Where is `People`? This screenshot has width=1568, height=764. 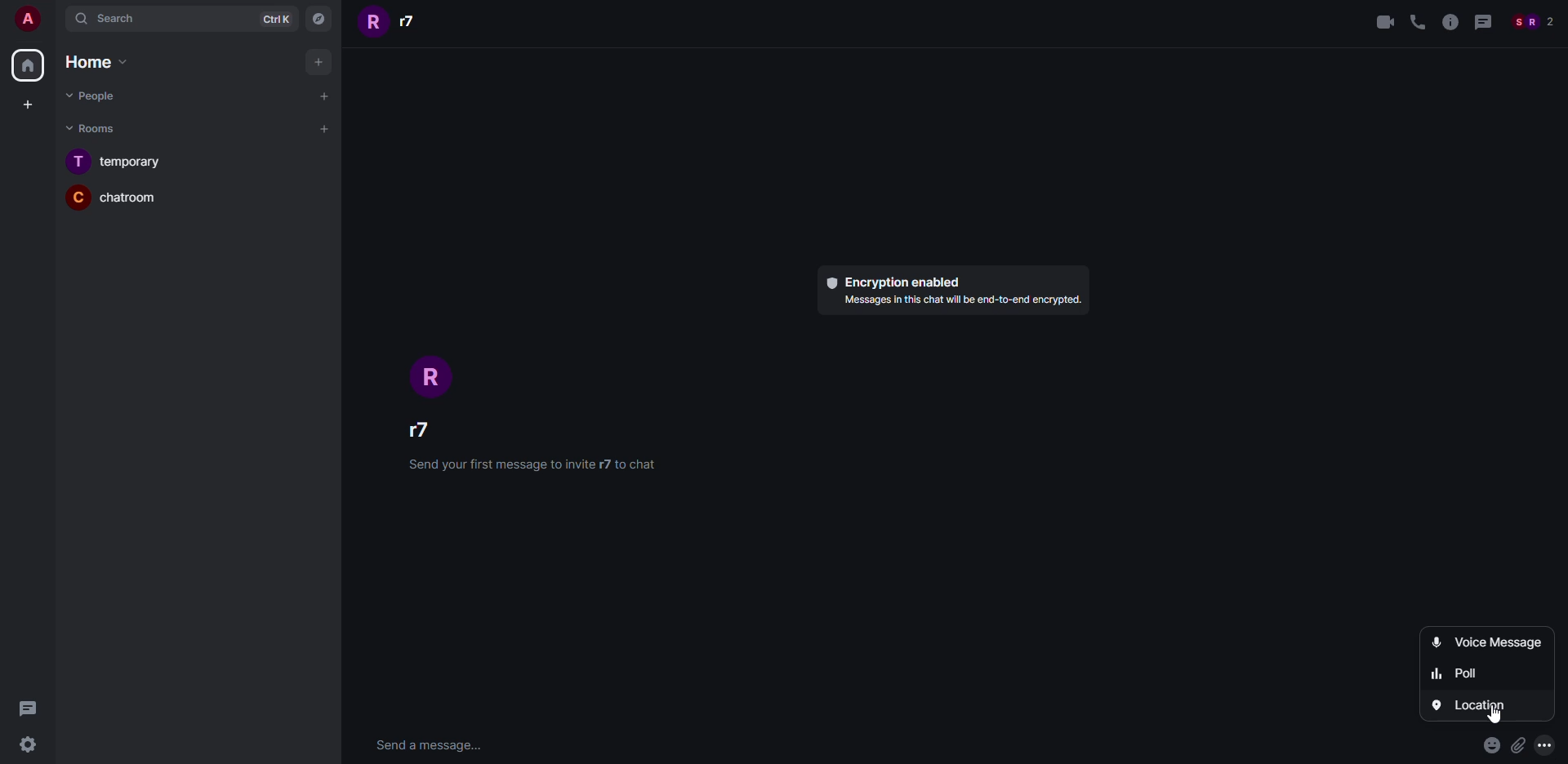
People is located at coordinates (1532, 23).